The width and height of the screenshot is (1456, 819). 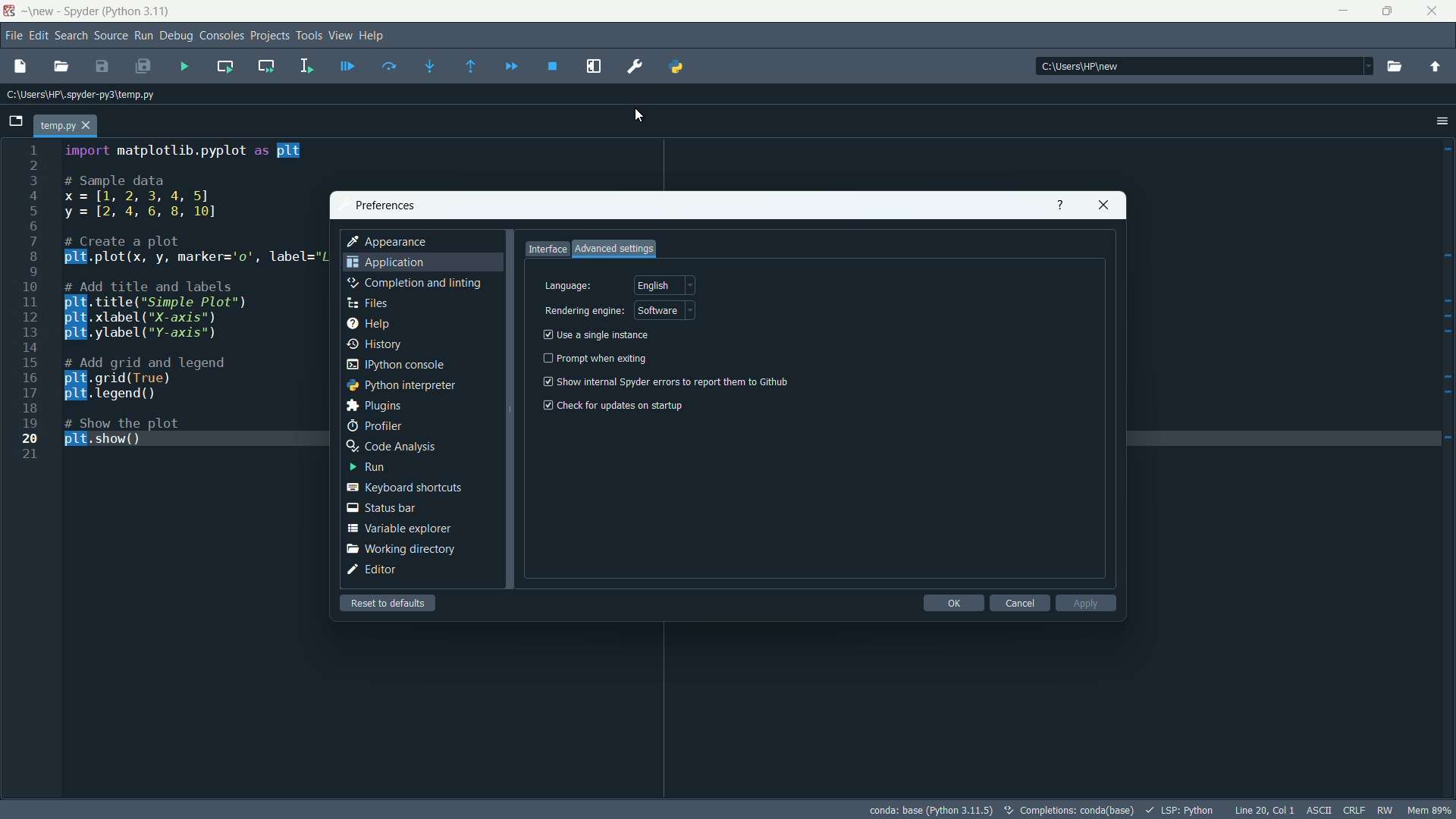 I want to click on history, so click(x=372, y=344).